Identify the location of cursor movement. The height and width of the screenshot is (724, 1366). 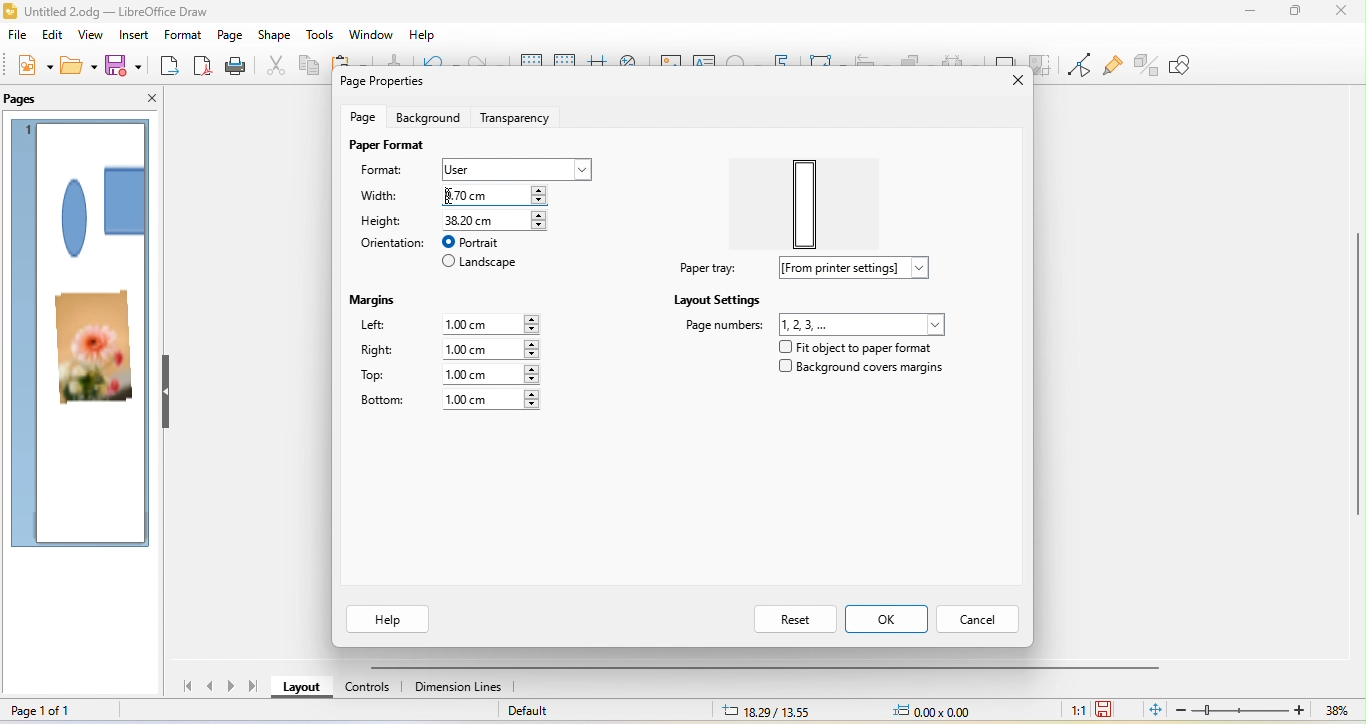
(450, 193).